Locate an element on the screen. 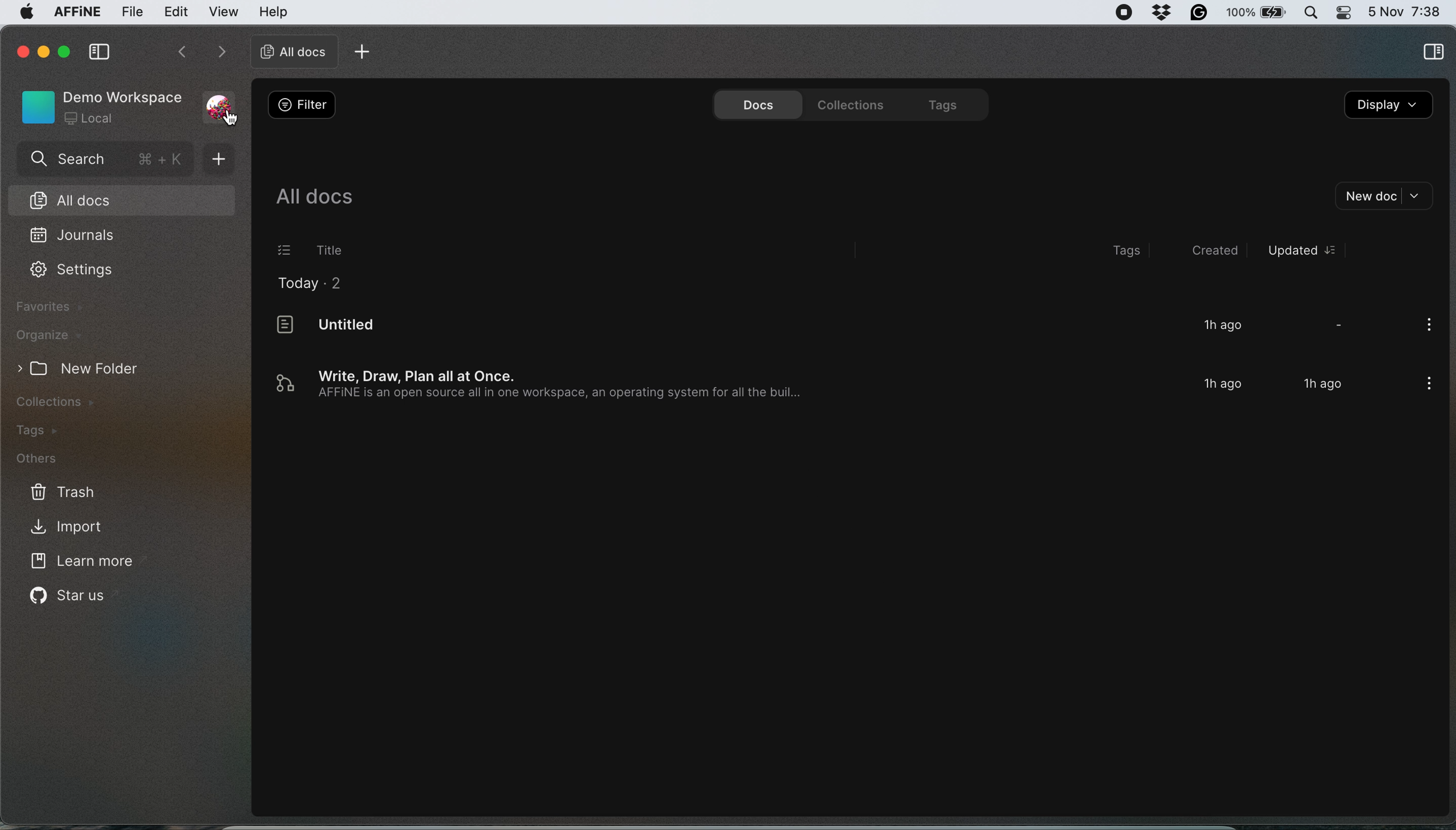  star us is located at coordinates (70, 599).